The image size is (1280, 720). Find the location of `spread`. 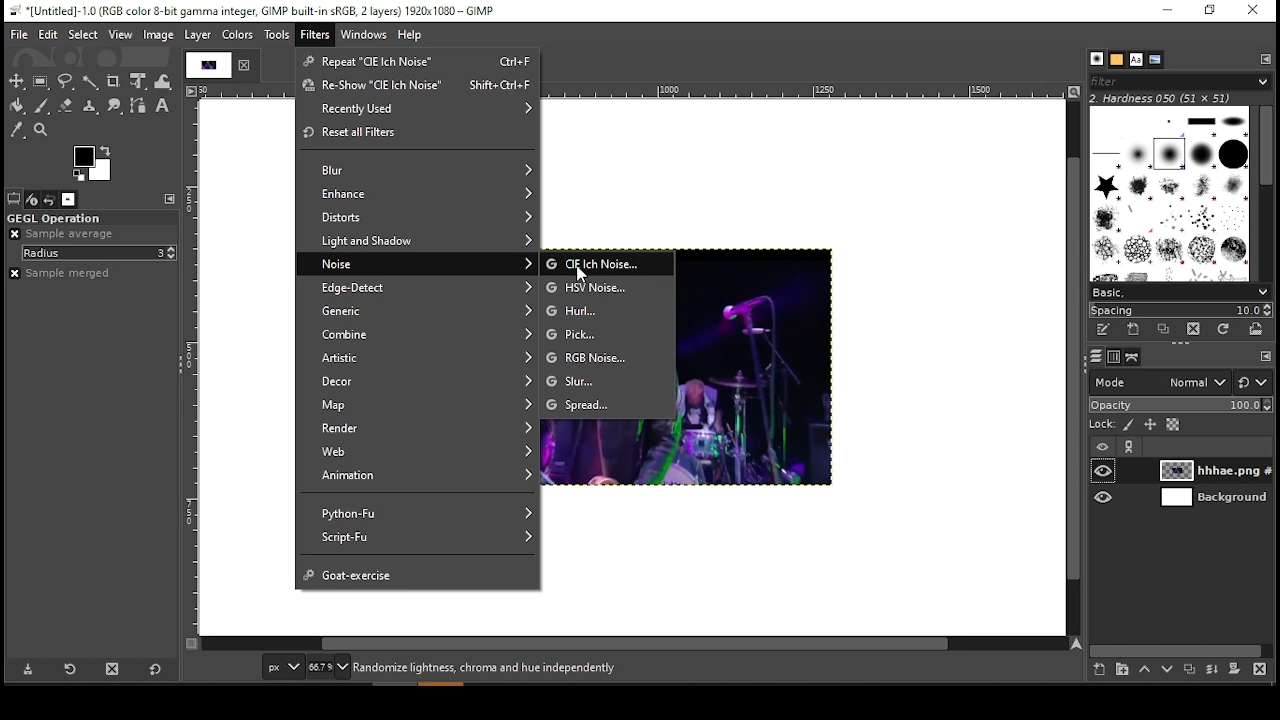

spread is located at coordinates (607, 406).